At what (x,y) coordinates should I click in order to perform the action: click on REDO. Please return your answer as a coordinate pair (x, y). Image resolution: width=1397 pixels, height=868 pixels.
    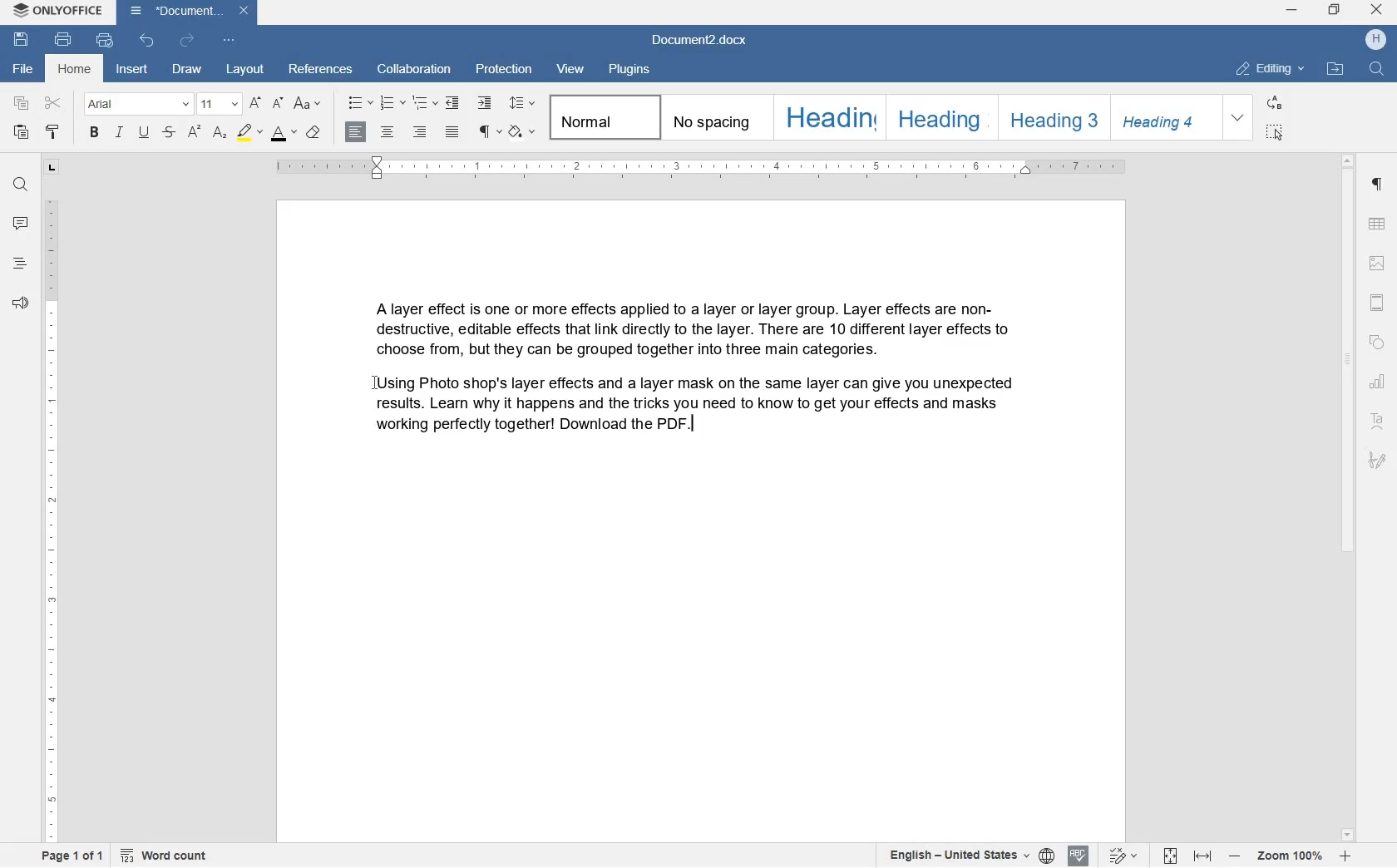
    Looking at the image, I should click on (186, 40).